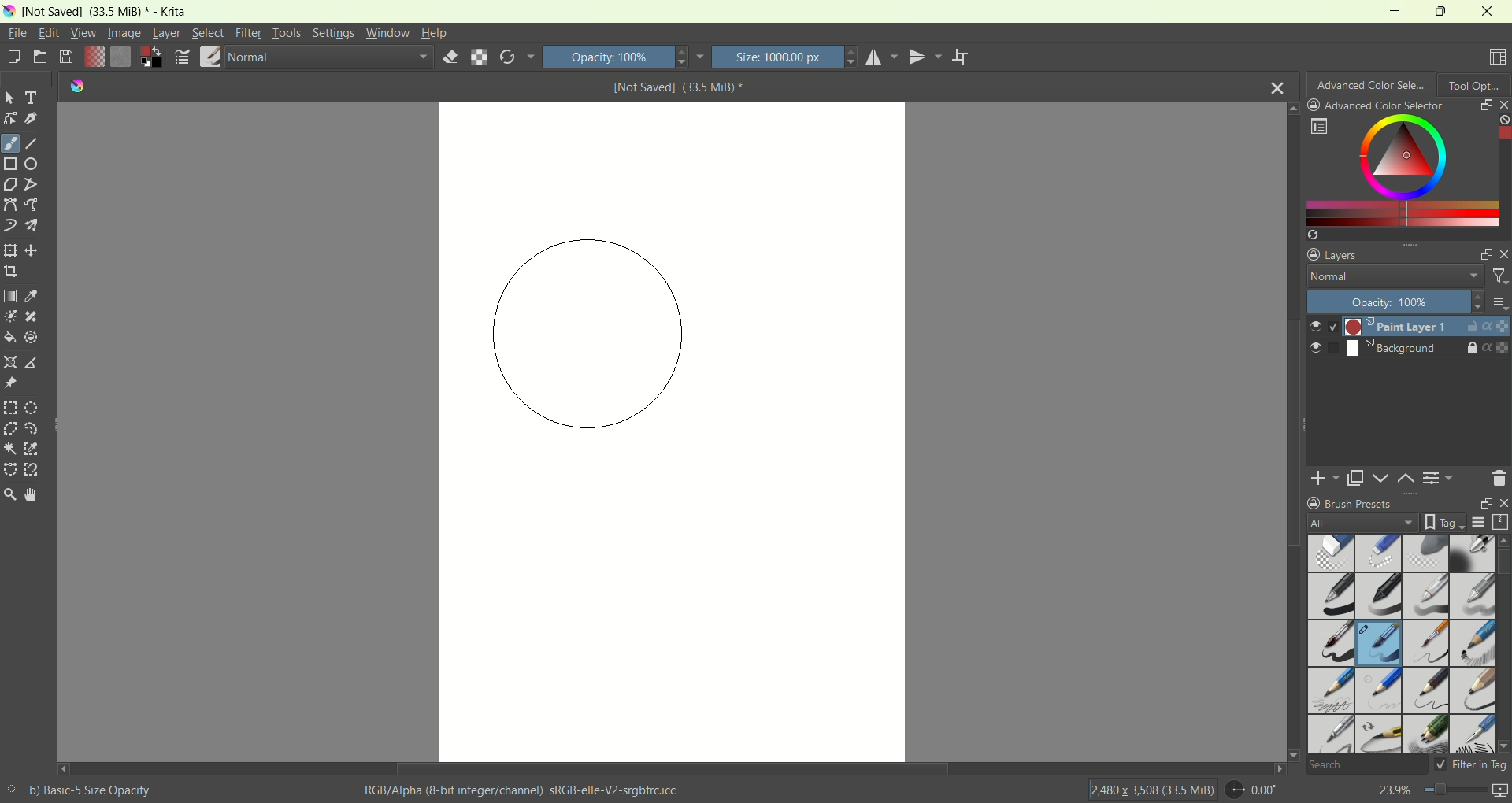 The width and height of the screenshot is (1512, 803). I want to click on float docker, so click(1481, 503).